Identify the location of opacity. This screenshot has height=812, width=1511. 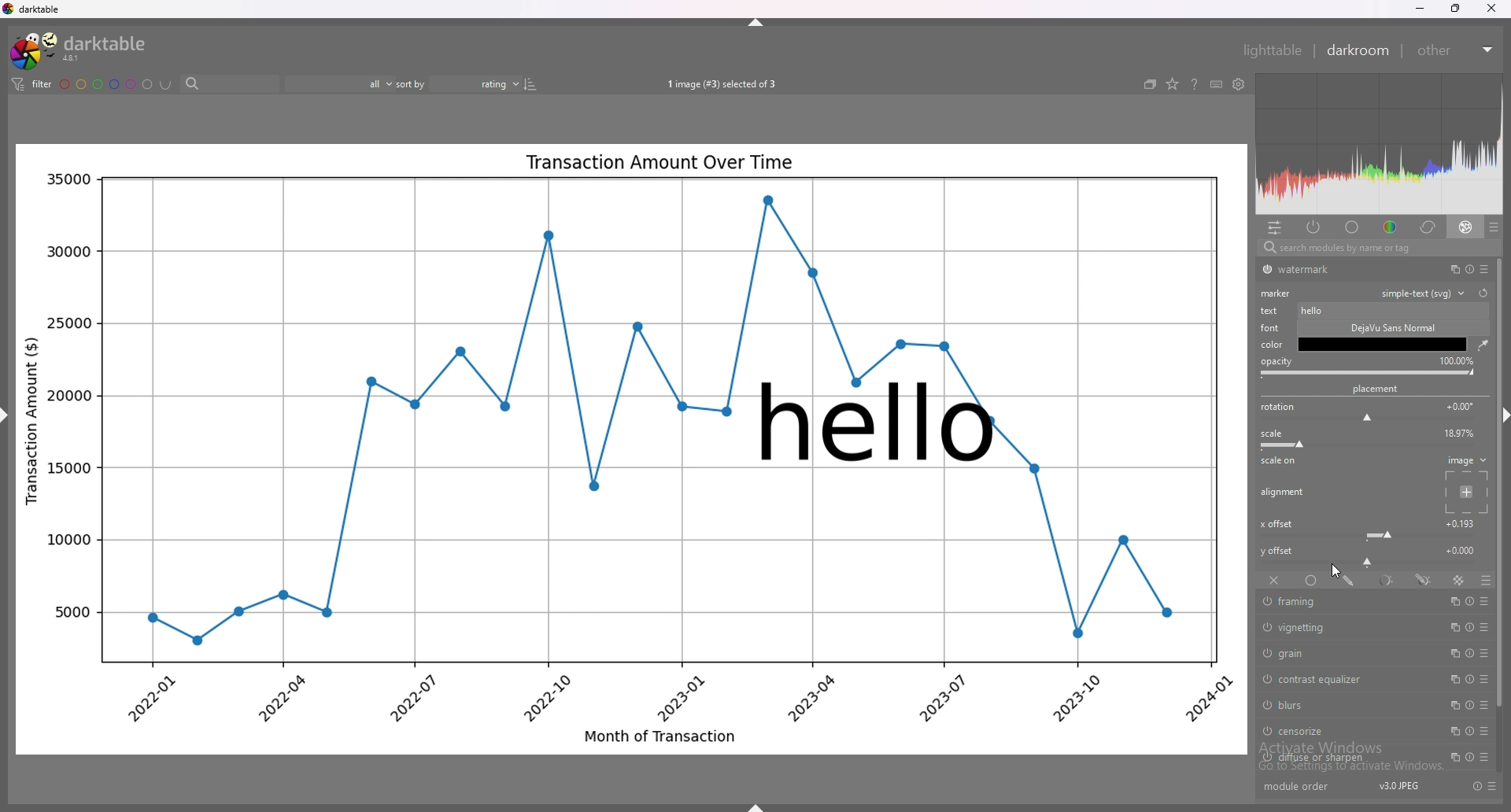
(1276, 362).